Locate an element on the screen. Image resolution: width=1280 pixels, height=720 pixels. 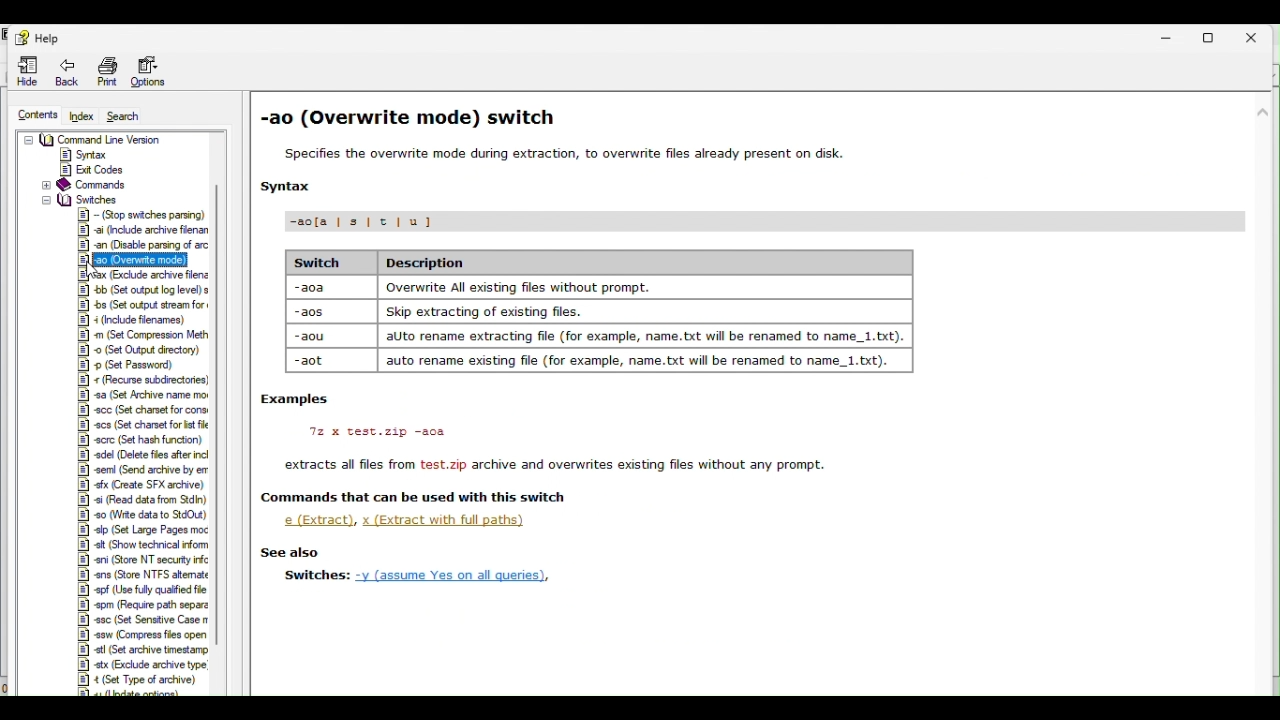
8] bs (Set output stream for is located at coordinates (142, 304).